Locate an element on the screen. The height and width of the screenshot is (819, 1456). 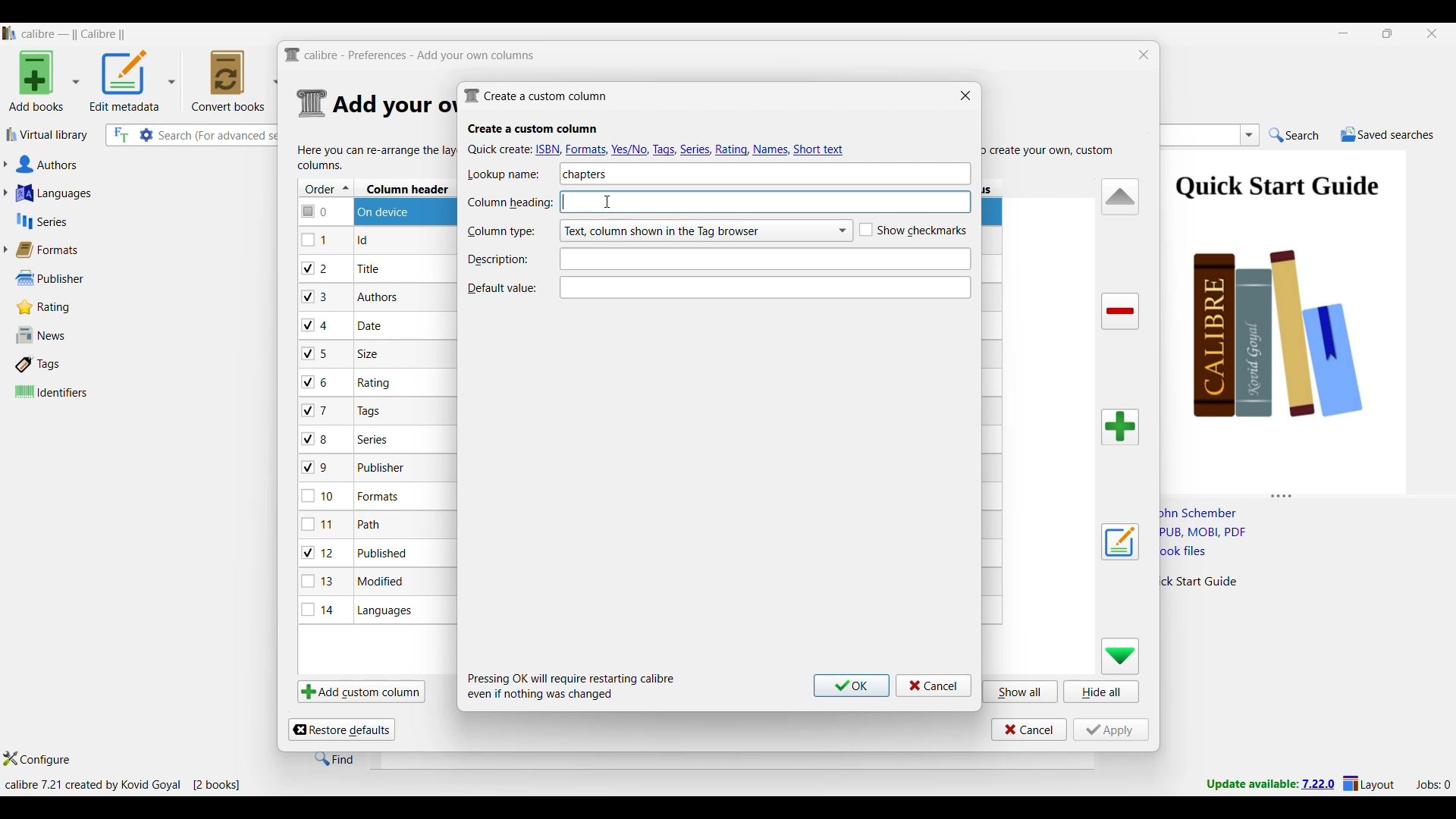
Description of steps following saving inputs made is located at coordinates (572, 686).